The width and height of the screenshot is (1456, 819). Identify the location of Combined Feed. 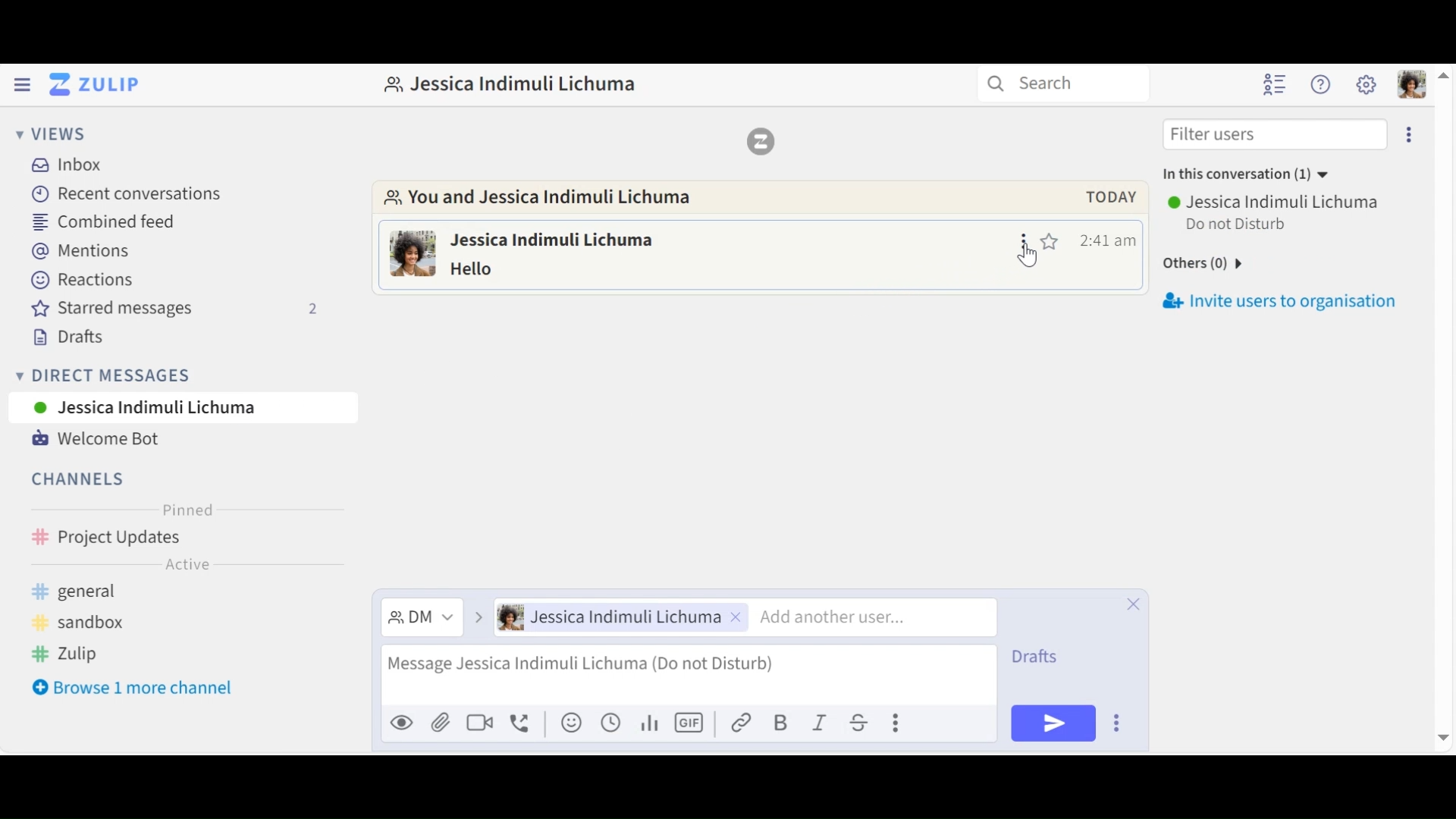
(108, 221).